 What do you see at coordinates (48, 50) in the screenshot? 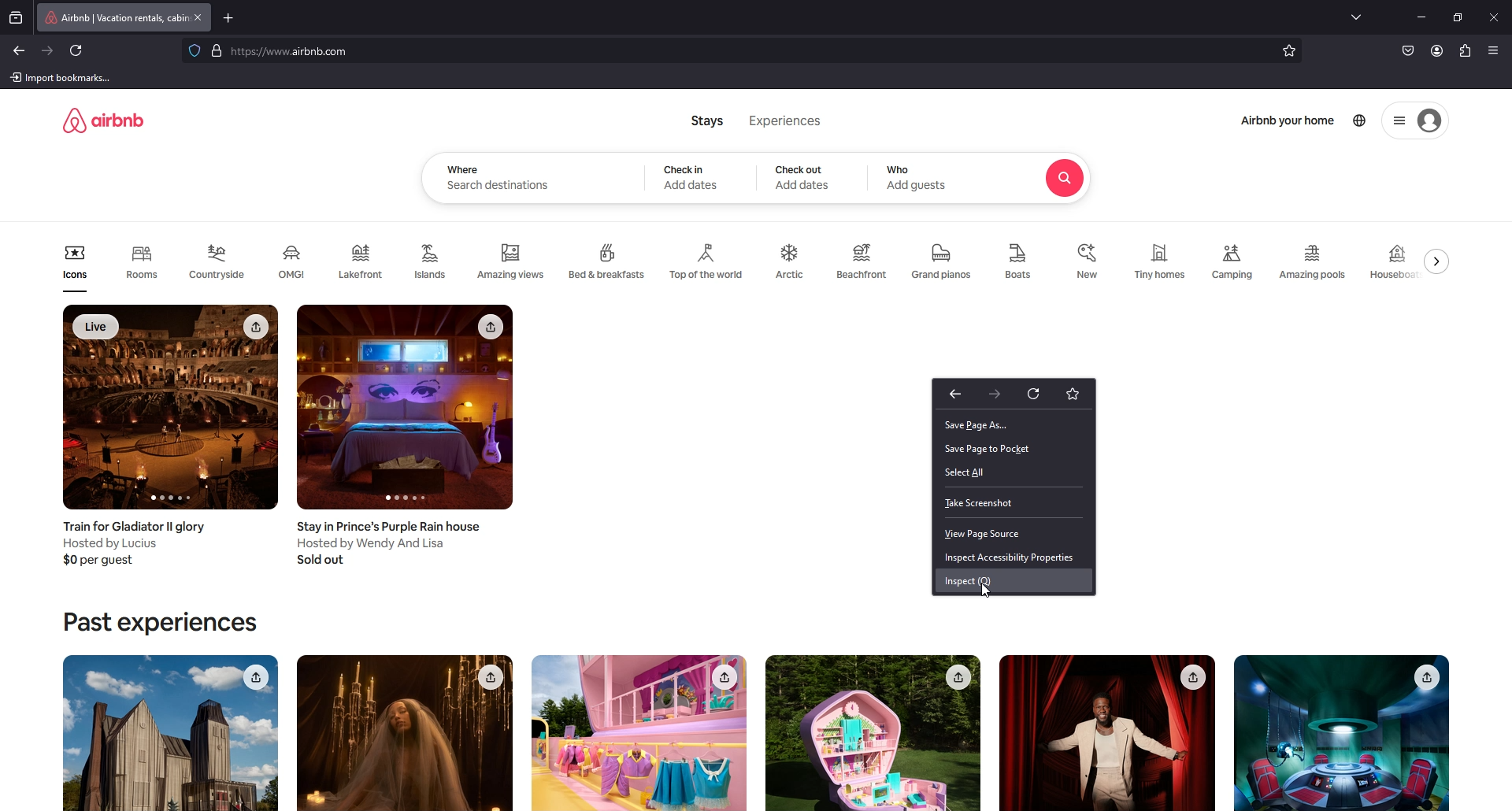
I see `forward` at bounding box center [48, 50].